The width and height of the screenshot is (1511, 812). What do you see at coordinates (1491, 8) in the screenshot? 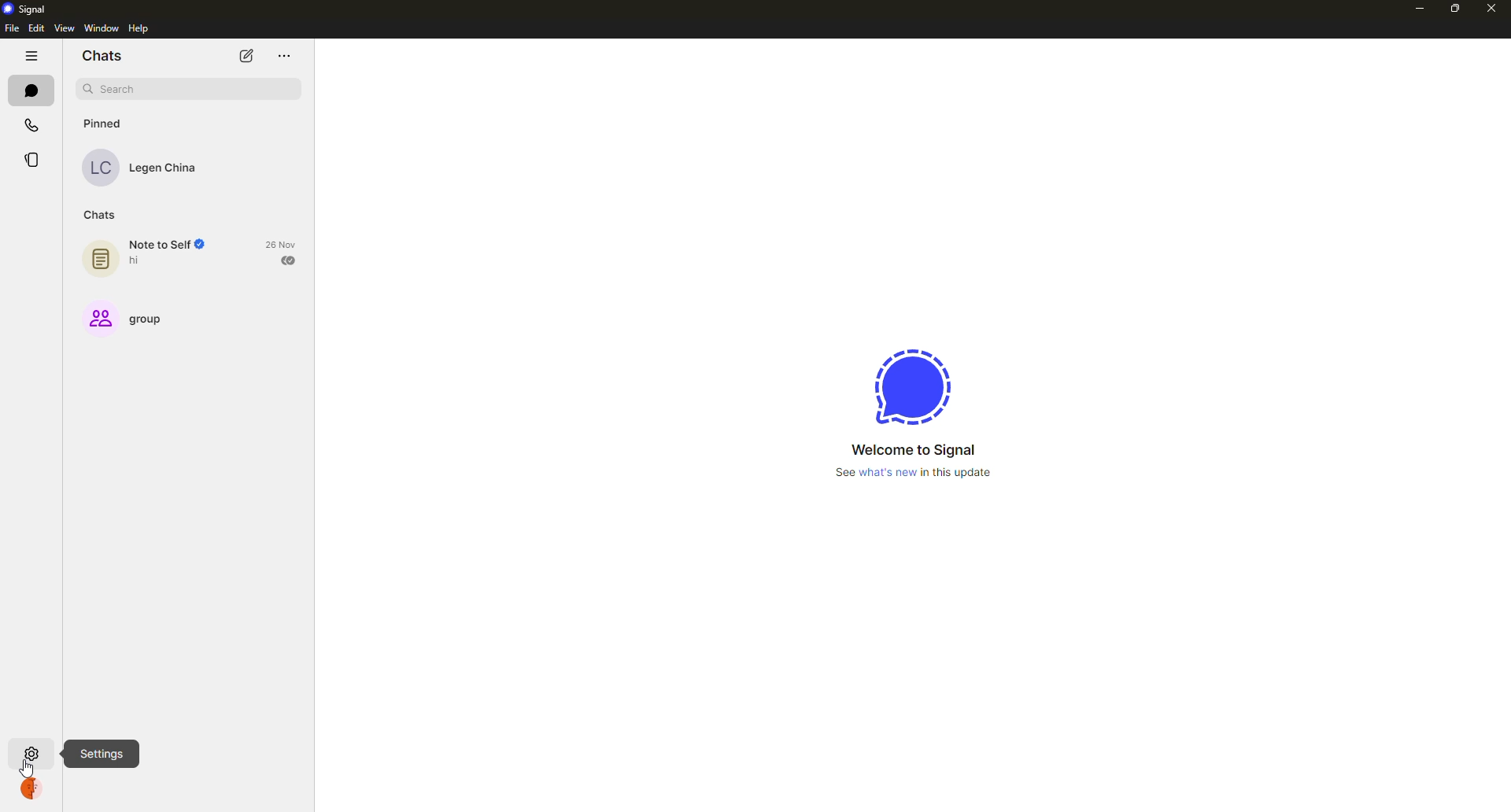
I see `close` at bounding box center [1491, 8].